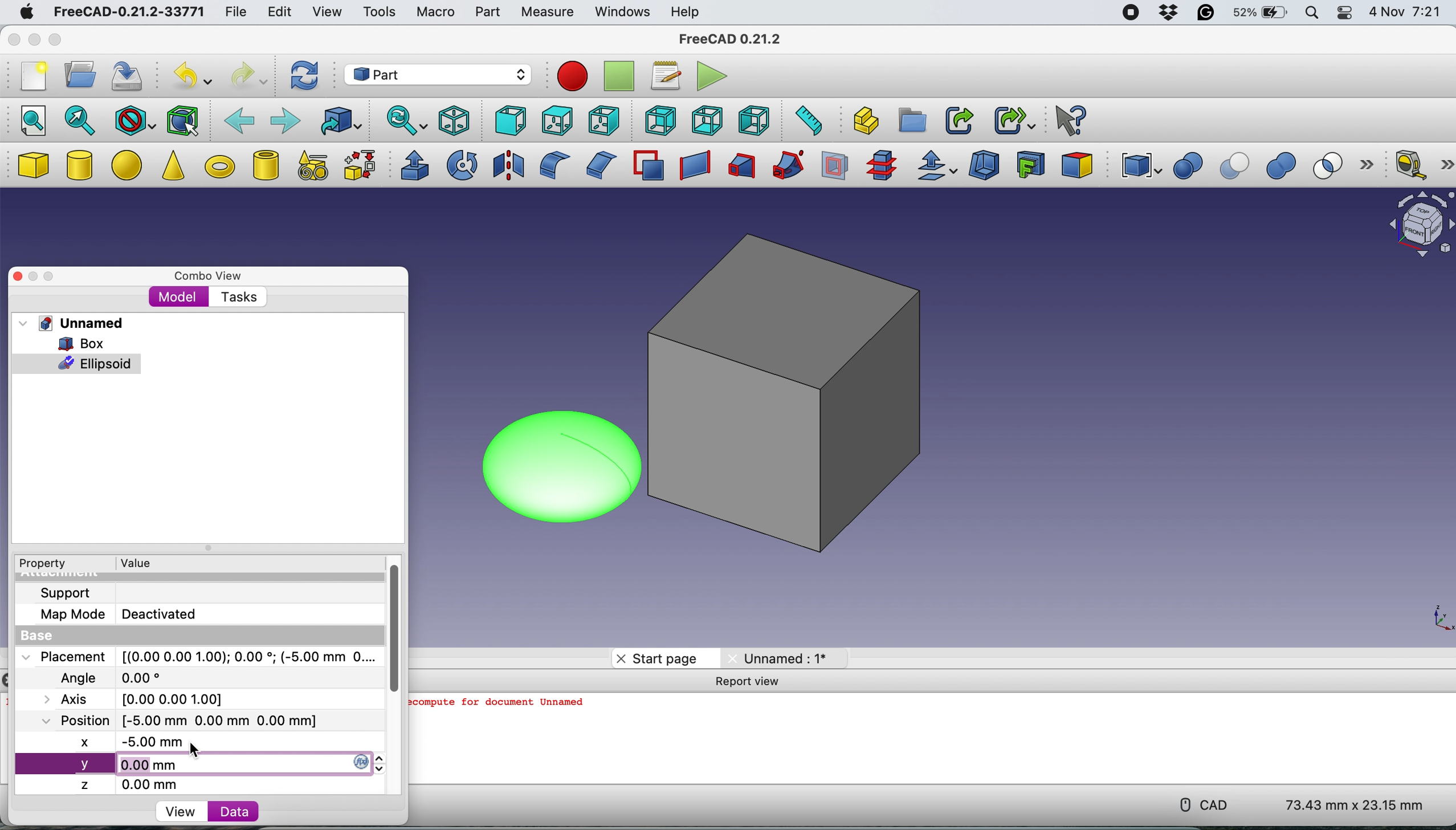 This screenshot has height=830, width=1456. Describe the element at coordinates (487, 14) in the screenshot. I see `part` at that location.